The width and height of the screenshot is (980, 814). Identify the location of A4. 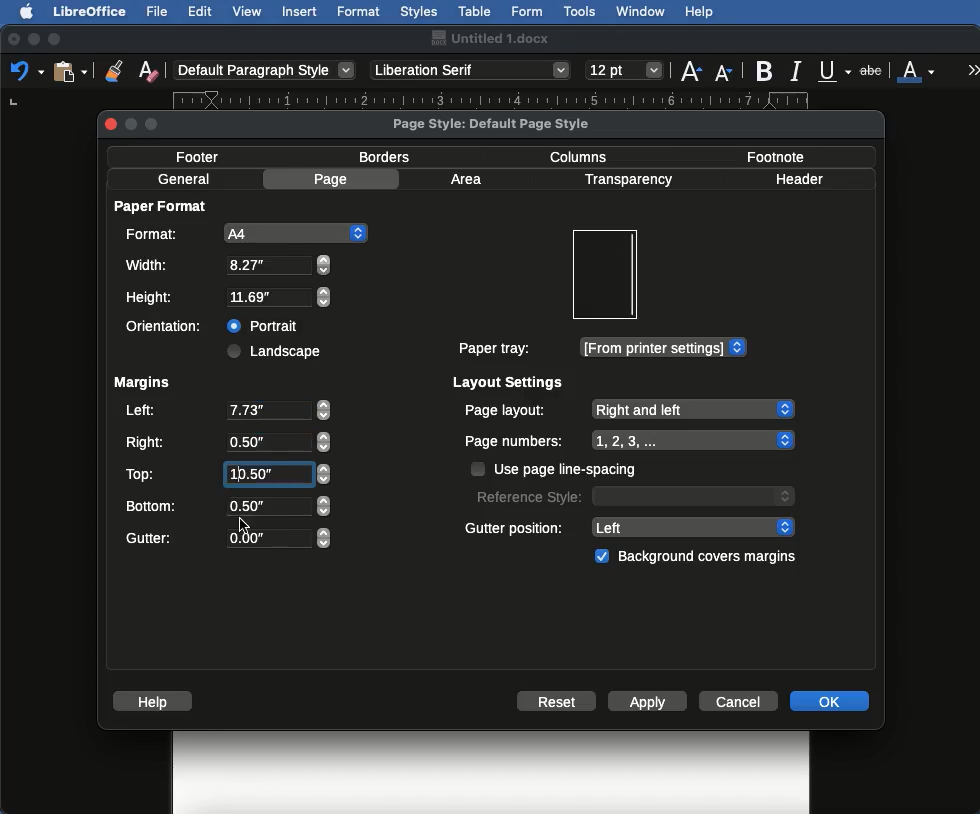
(243, 233).